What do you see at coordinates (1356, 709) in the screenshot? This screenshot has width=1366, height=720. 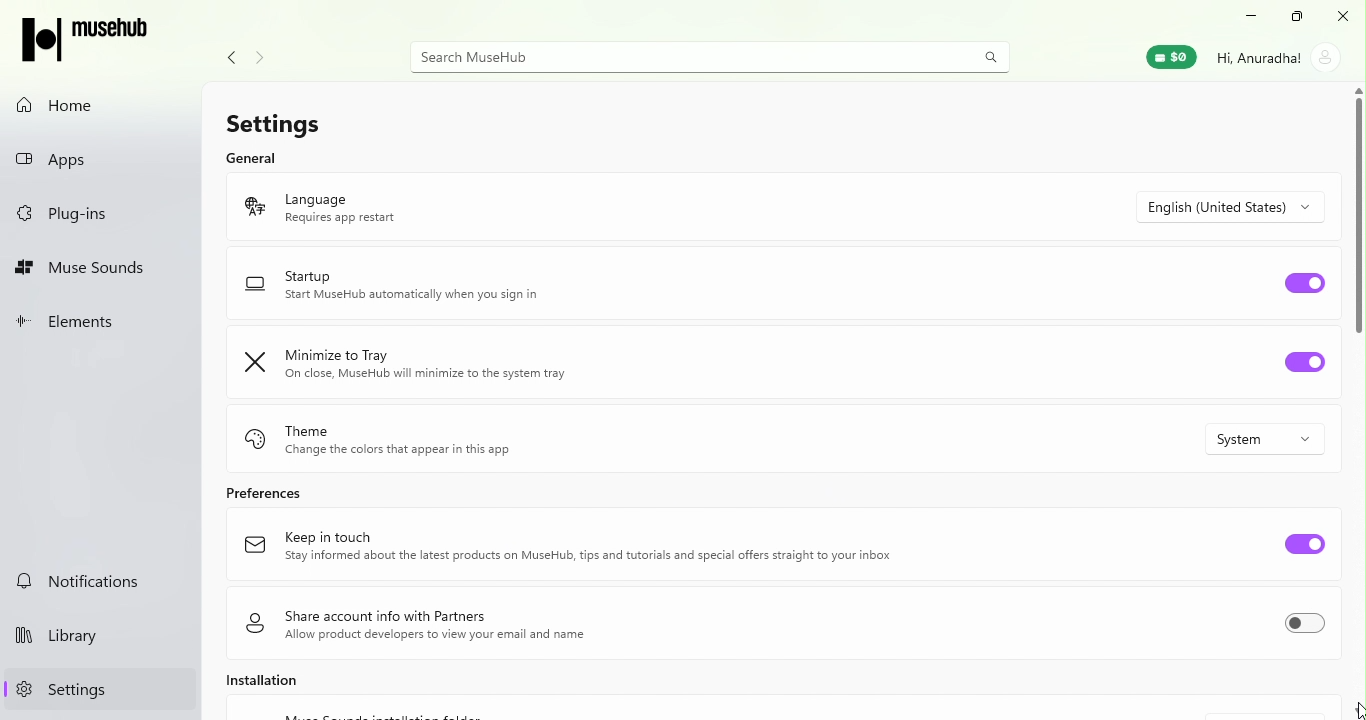 I see `cursor` at bounding box center [1356, 709].